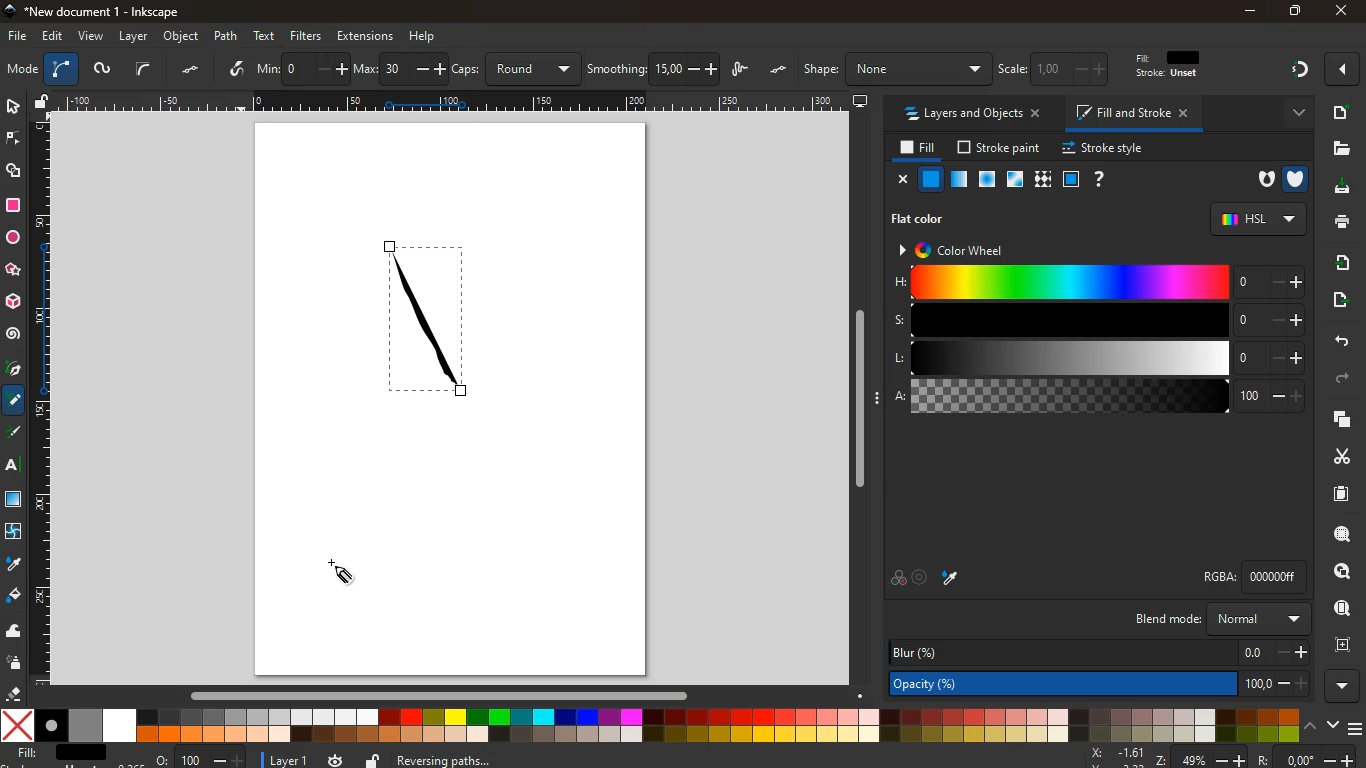 This screenshot has width=1366, height=768. Describe the element at coordinates (1100, 652) in the screenshot. I see `blur` at that location.